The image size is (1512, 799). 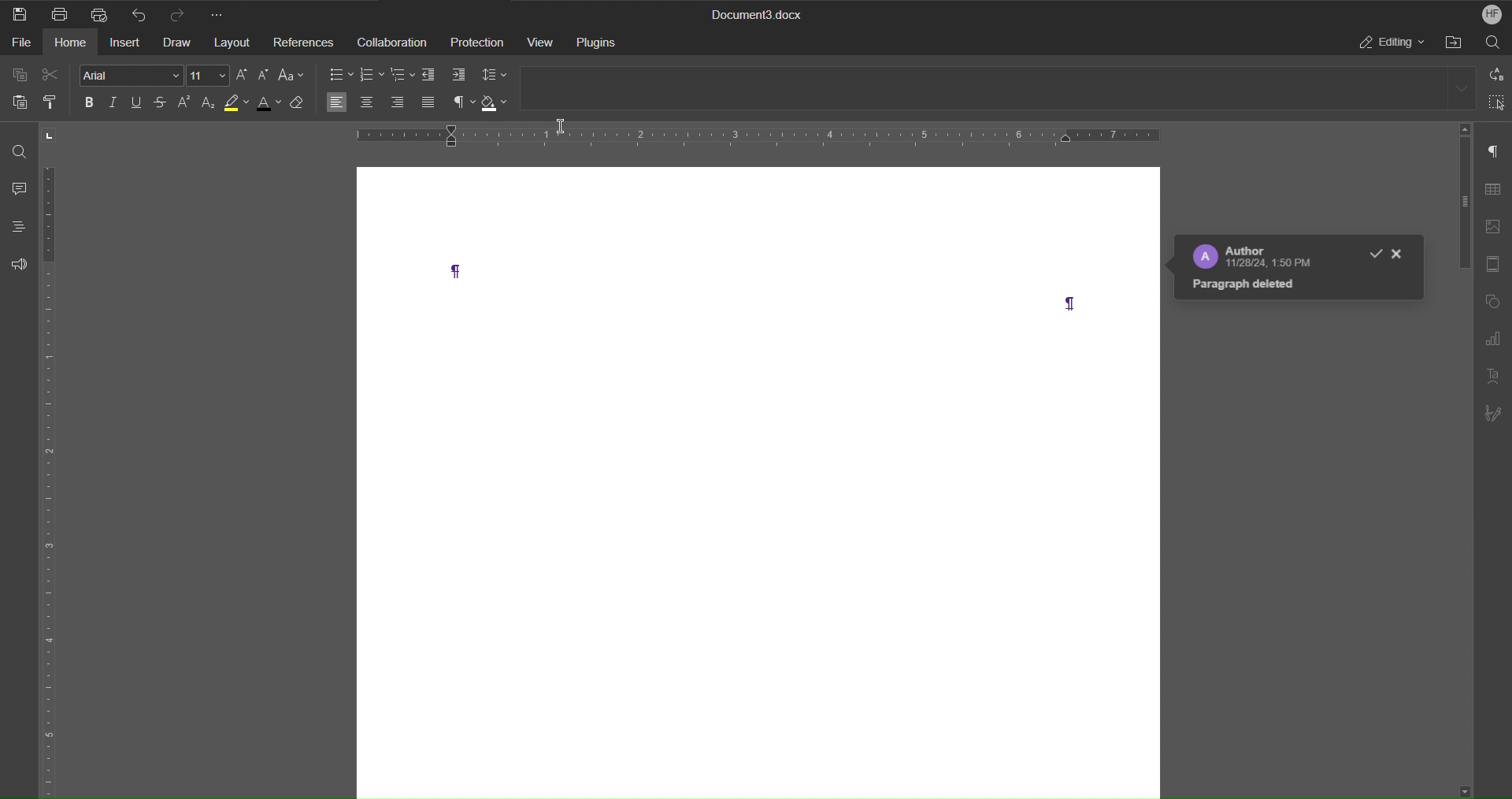 What do you see at coordinates (1454, 86) in the screenshot?
I see `More headings` at bounding box center [1454, 86].